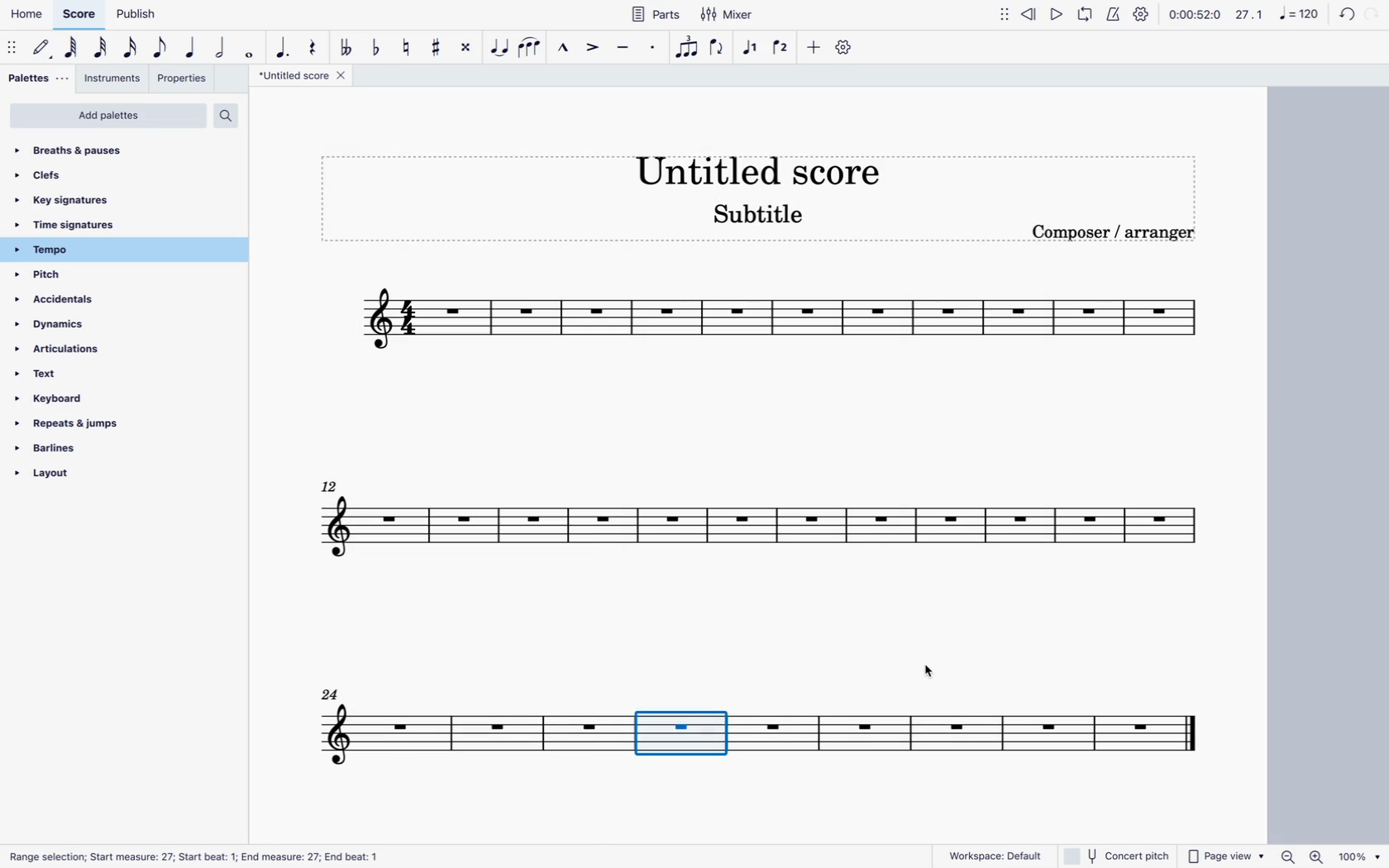 The height and width of the screenshot is (868, 1389). I want to click on augmentative dot, so click(284, 48).